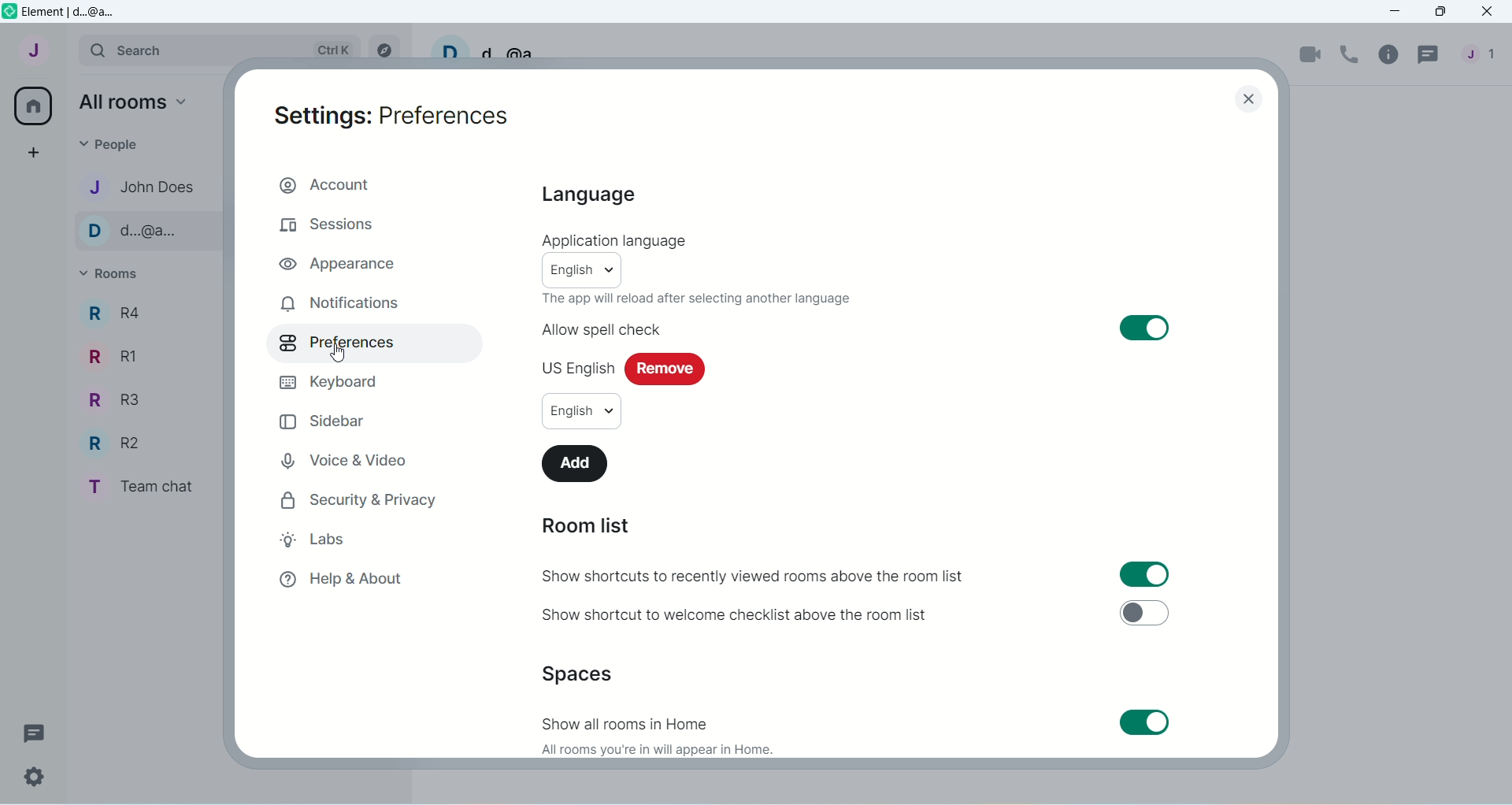 This screenshot has width=1512, height=805. Describe the element at coordinates (223, 49) in the screenshot. I see `Search bar` at that location.